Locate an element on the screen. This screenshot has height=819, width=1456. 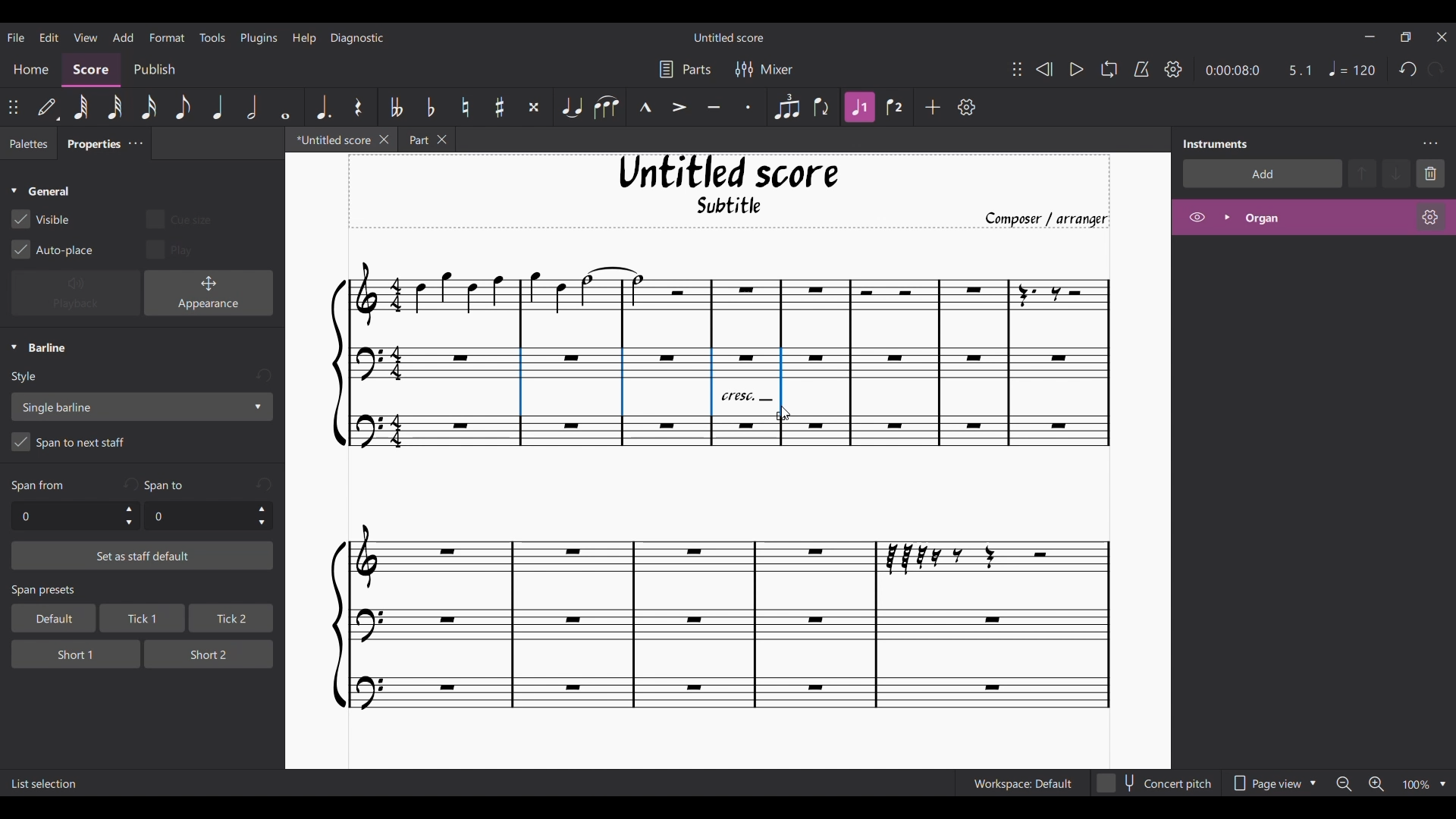
Customize toolbar is located at coordinates (967, 107).